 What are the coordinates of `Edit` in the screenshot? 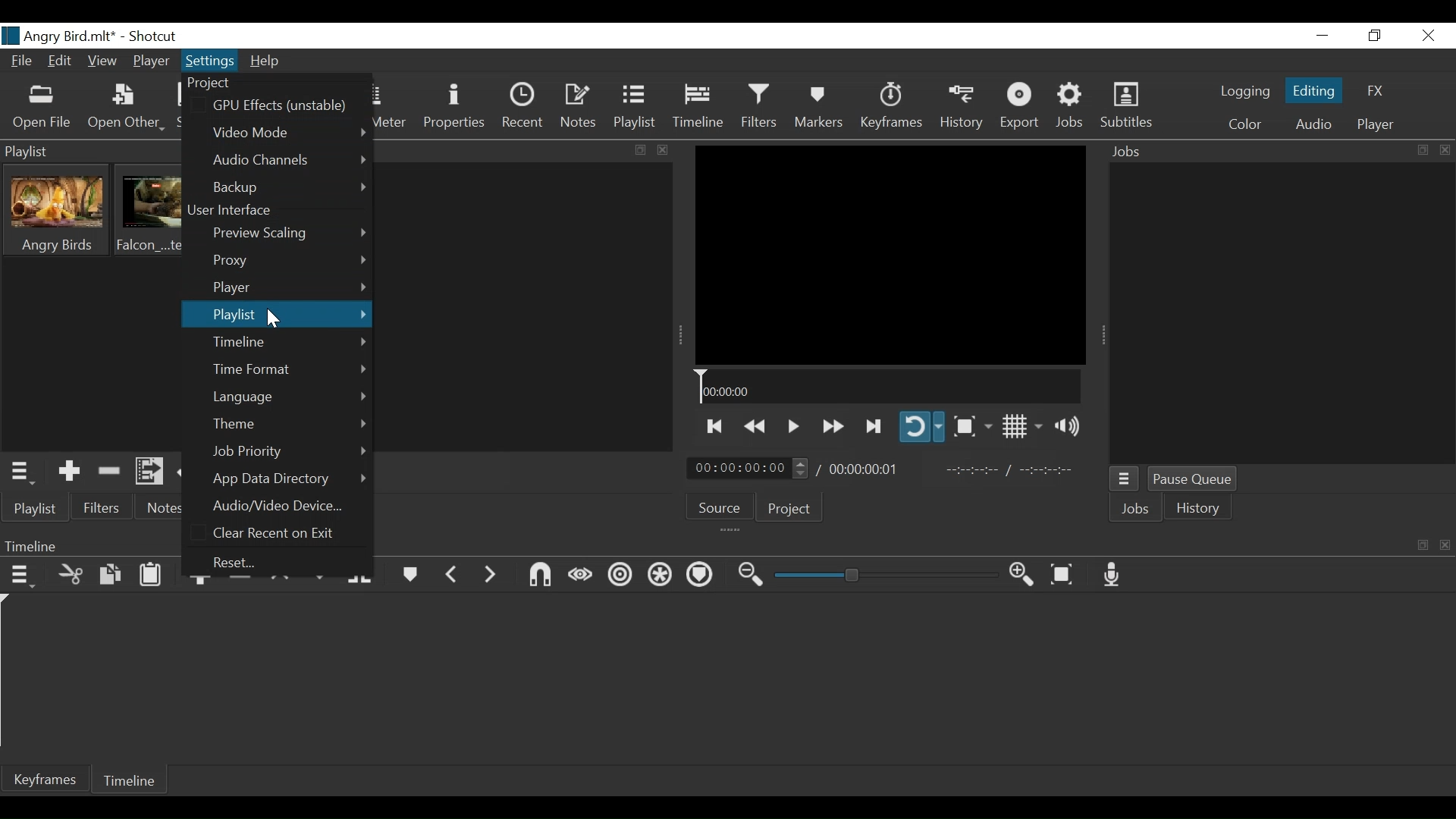 It's located at (60, 61).